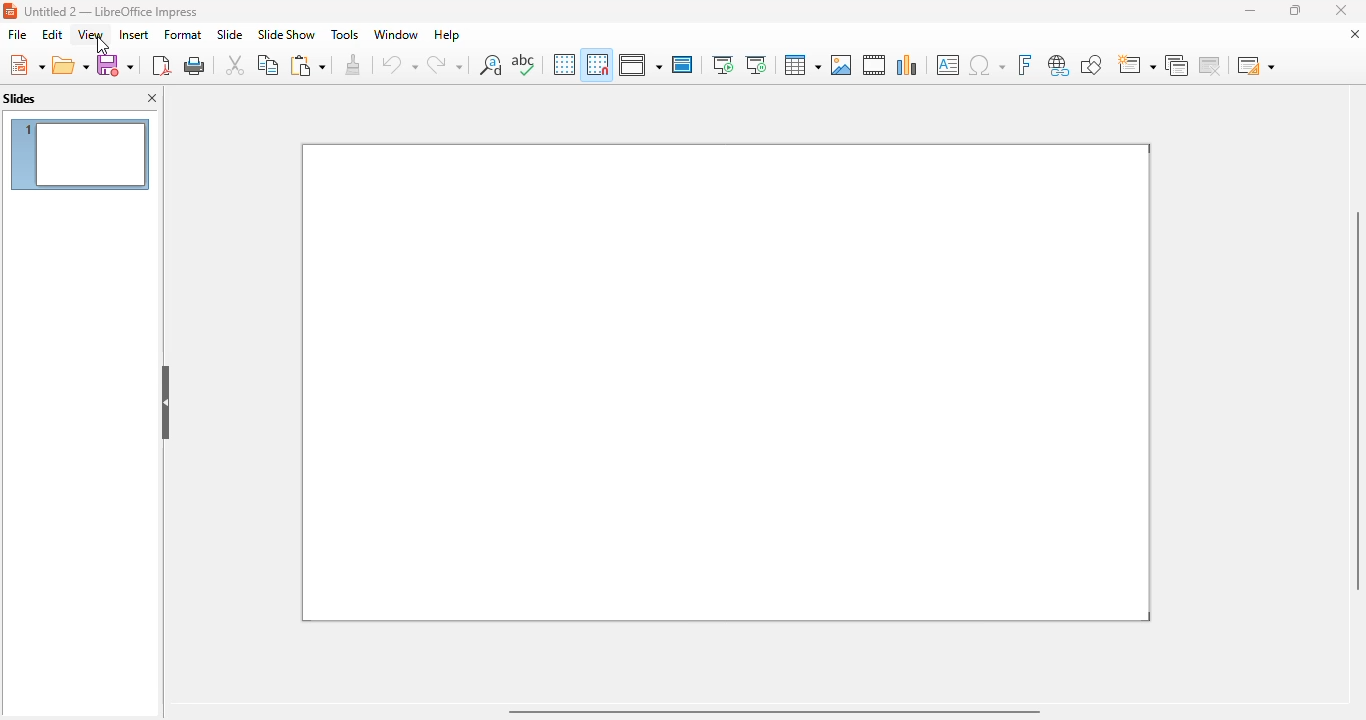 This screenshot has height=720, width=1366. I want to click on title, so click(111, 12).